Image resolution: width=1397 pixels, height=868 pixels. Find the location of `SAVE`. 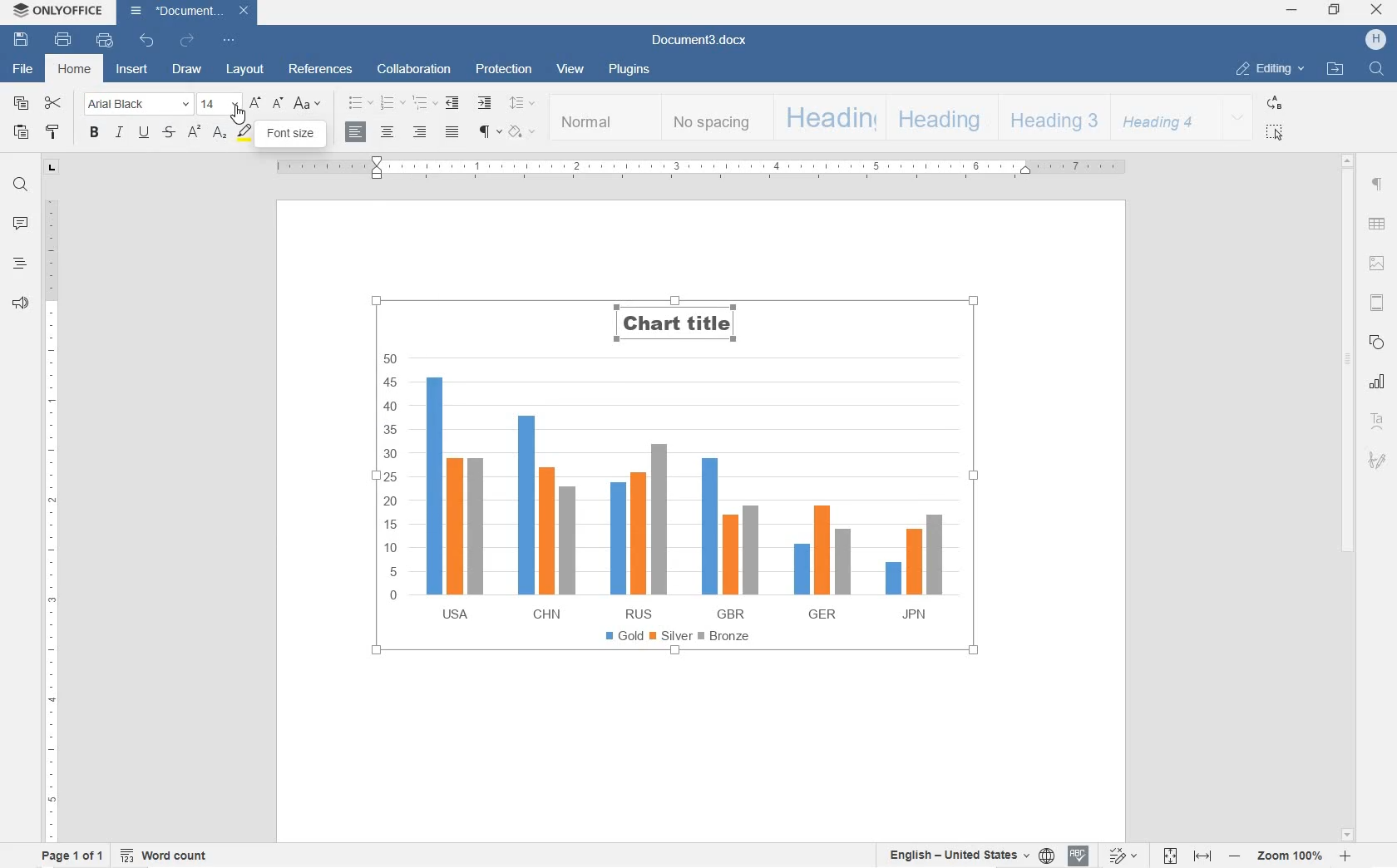

SAVE is located at coordinates (21, 42).